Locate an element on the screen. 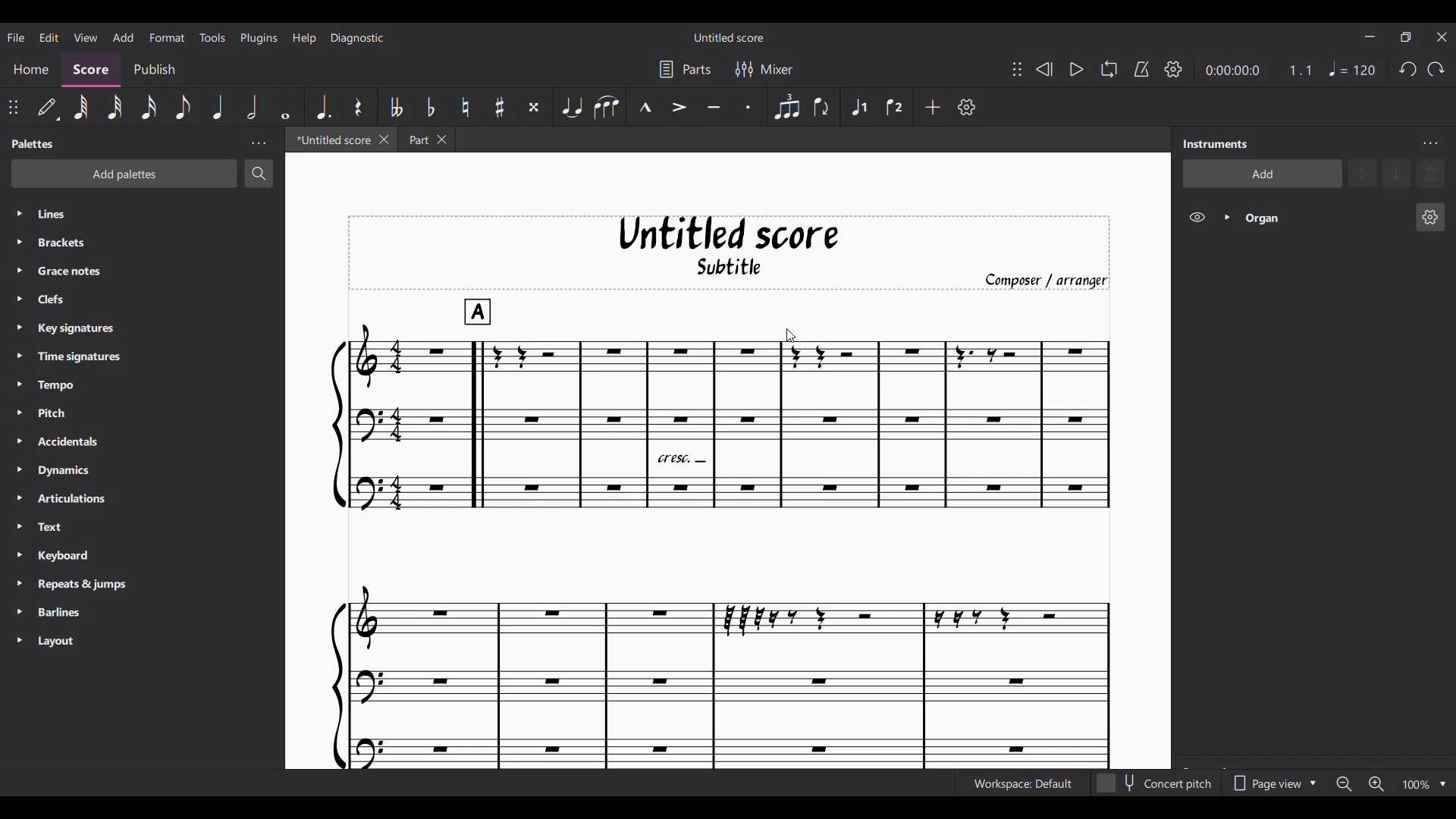  Default is located at coordinates (47, 106).